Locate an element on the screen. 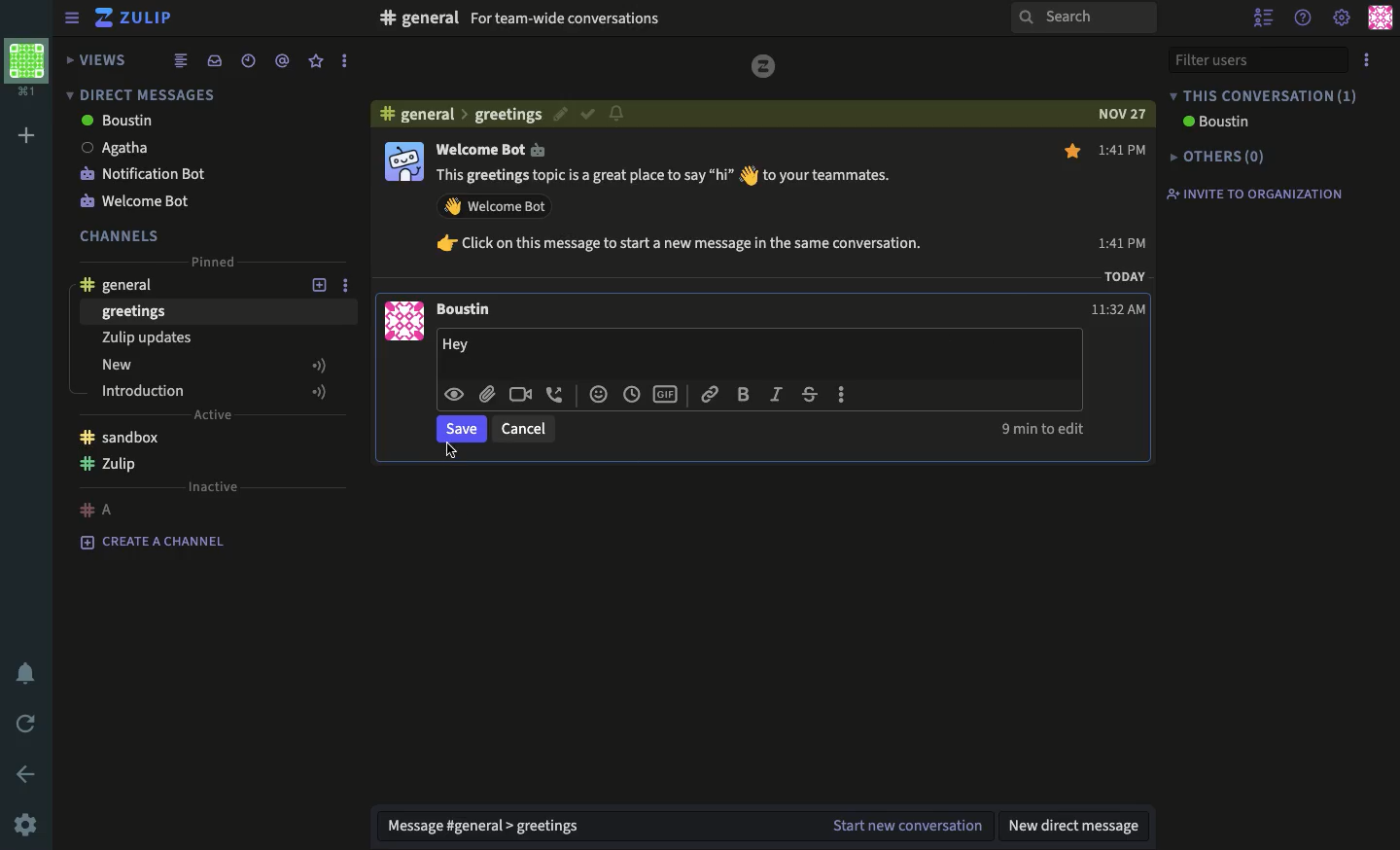 This screenshot has height=850, width=1400. user profile  is located at coordinates (398, 243).